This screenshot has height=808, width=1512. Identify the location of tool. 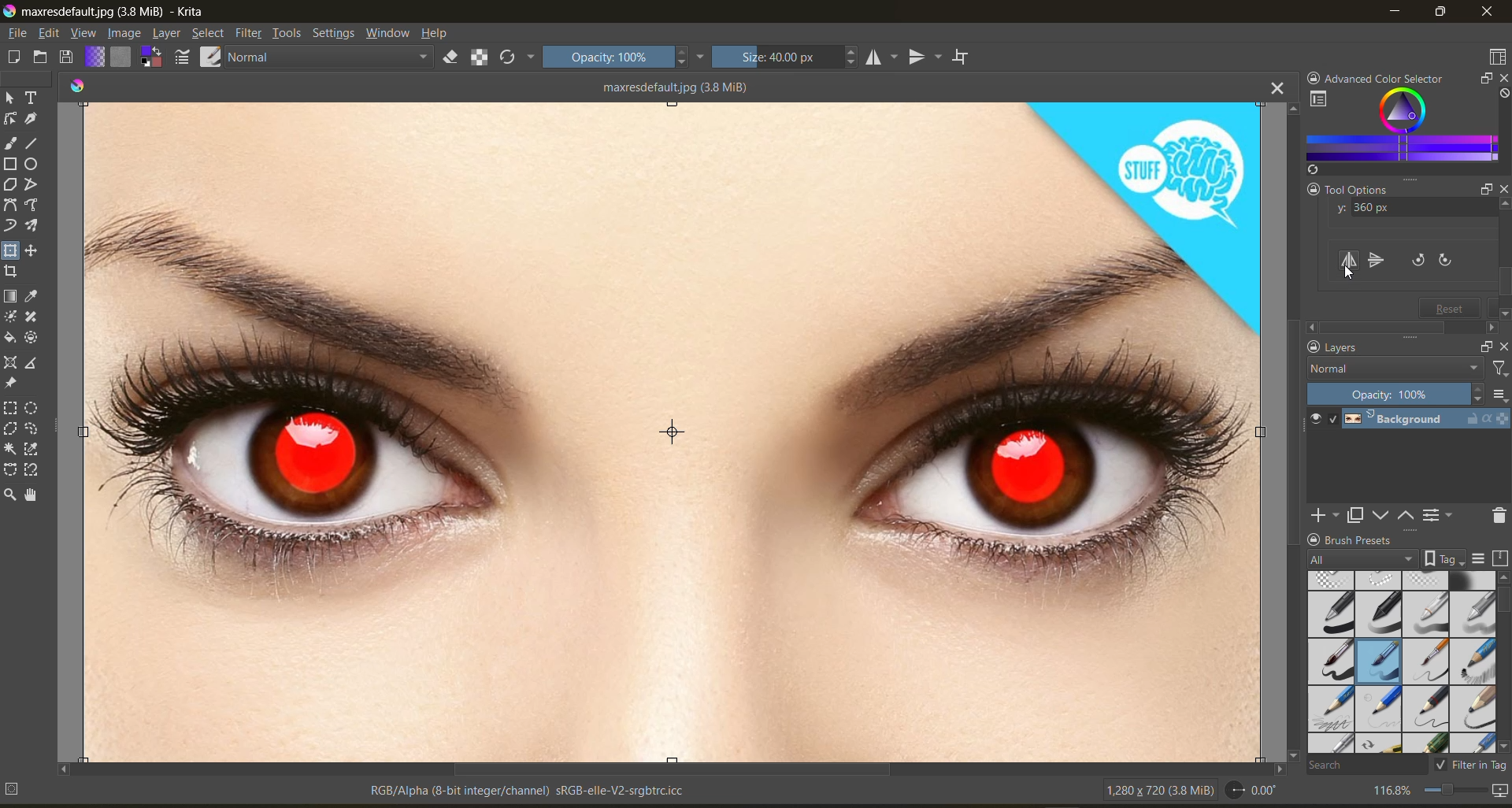
(33, 297).